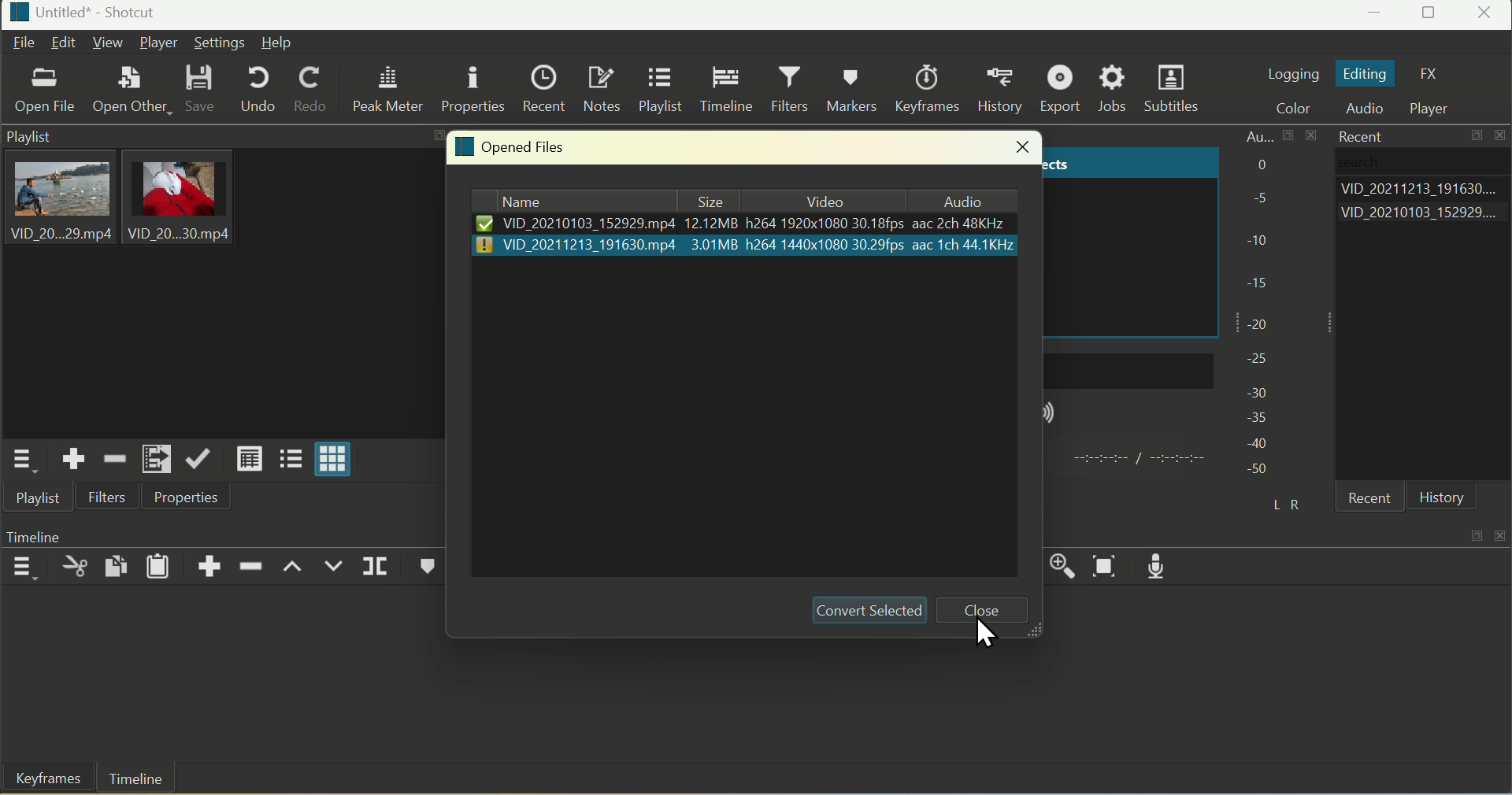 The image size is (1512, 795). What do you see at coordinates (249, 459) in the screenshot?
I see `View as details` at bounding box center [249, 459].